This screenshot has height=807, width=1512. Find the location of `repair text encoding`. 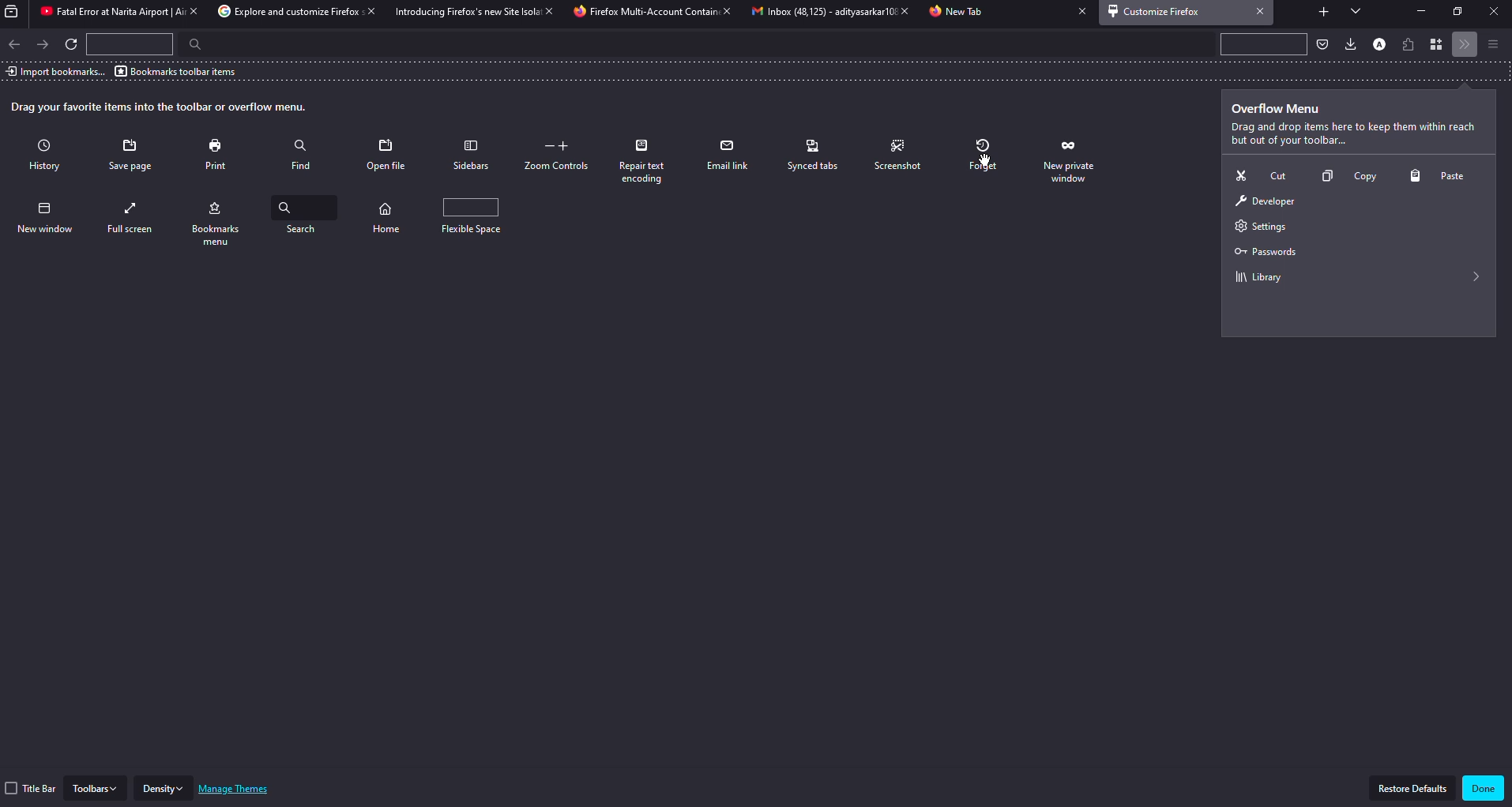

repair text encoding is located at coordinates (648, 161).